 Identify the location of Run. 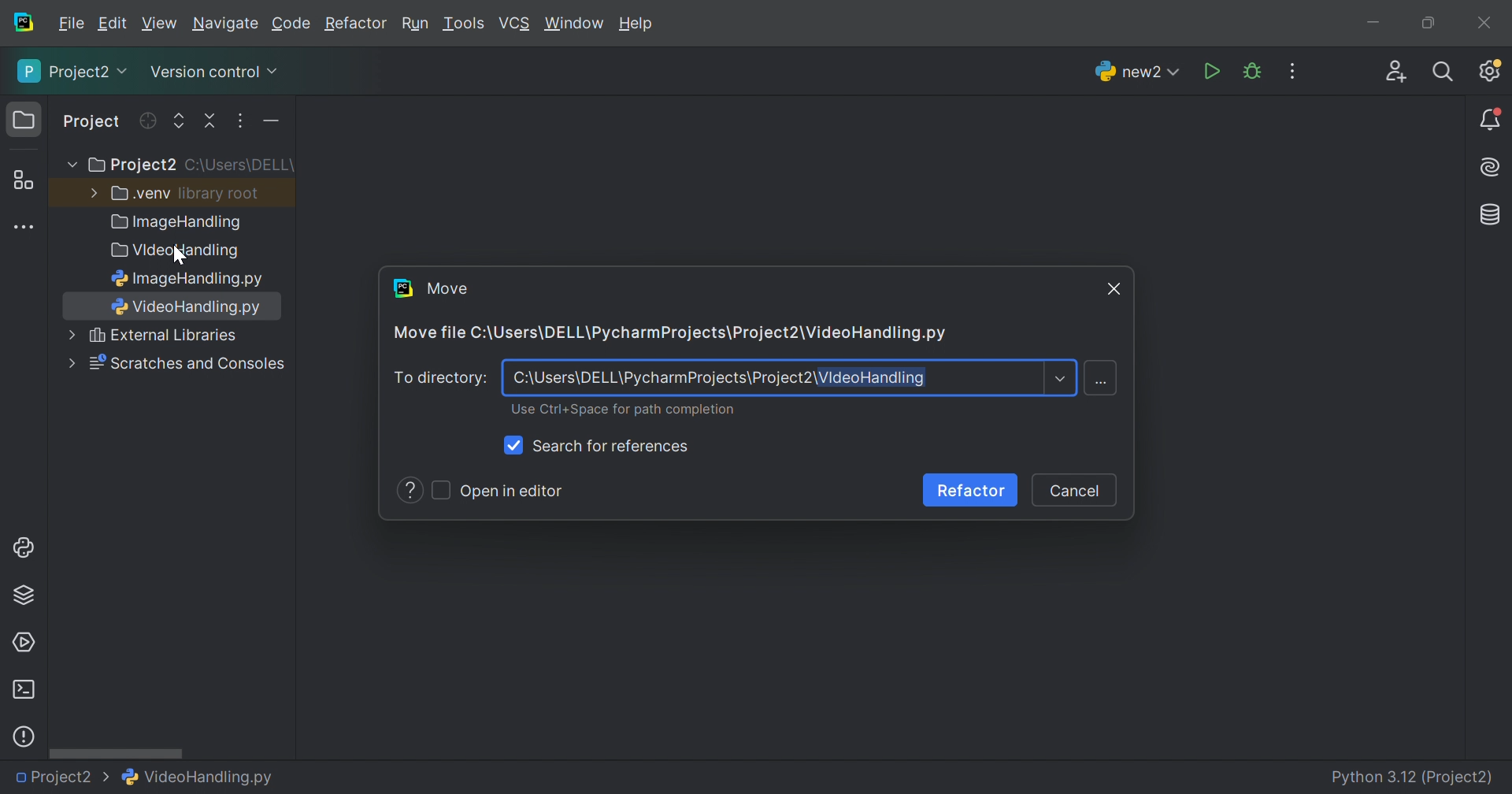
(415, 25).